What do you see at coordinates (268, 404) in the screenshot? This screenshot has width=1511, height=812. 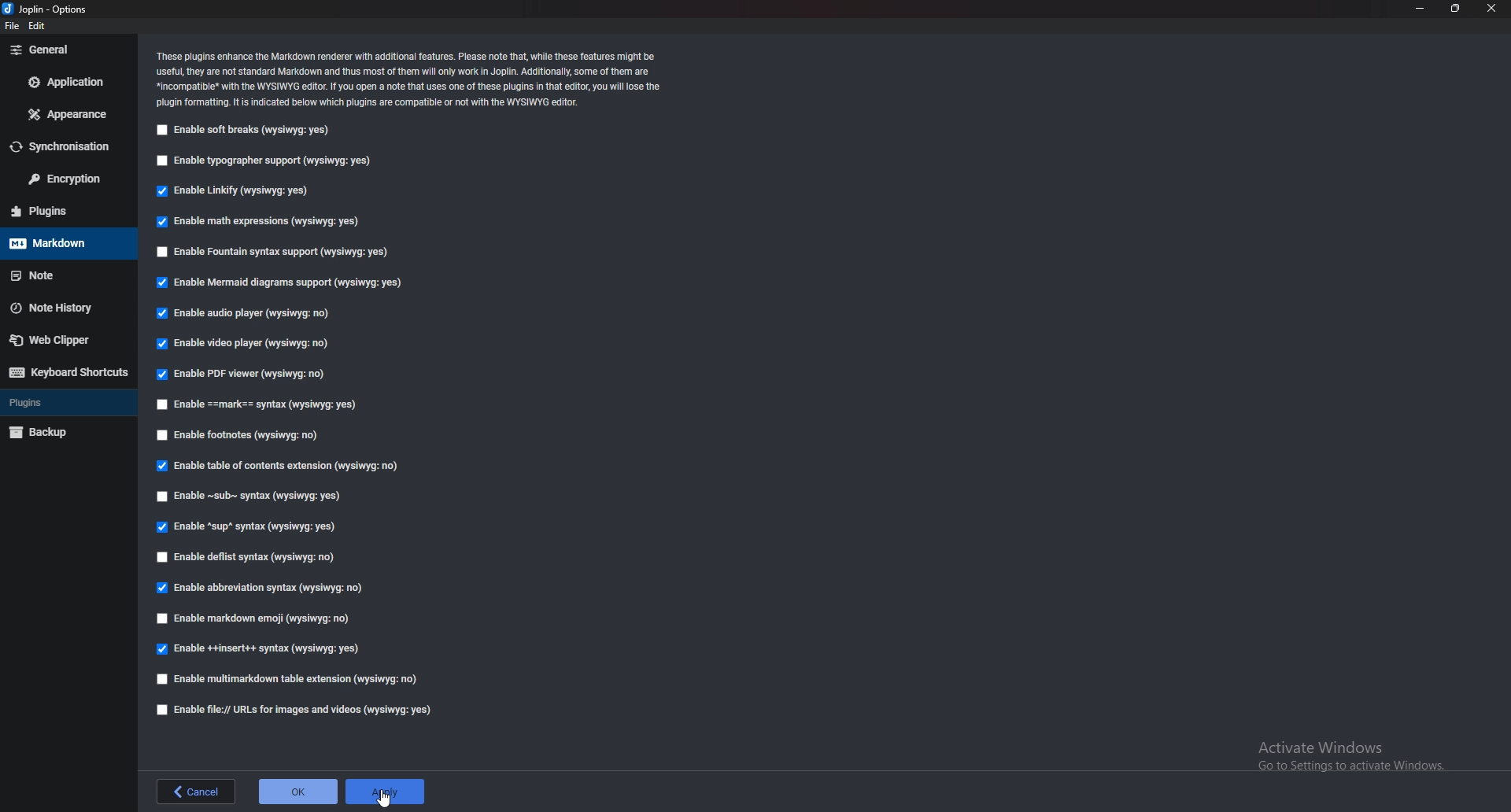 I see `Enable Mark Syntax` at bounding box center [268, 404].